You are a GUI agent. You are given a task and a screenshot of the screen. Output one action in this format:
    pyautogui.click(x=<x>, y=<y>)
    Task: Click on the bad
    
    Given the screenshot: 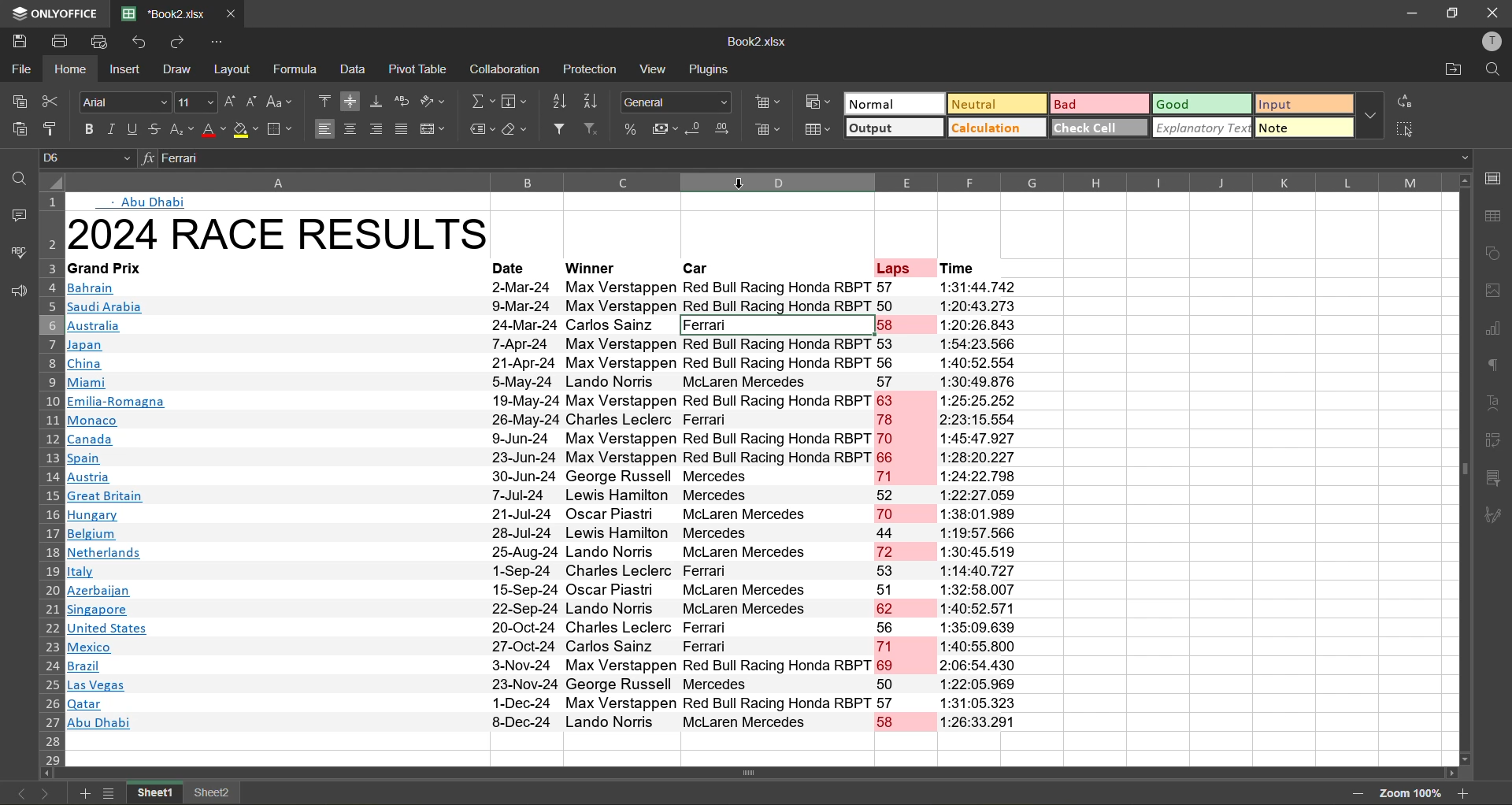 What is the action you would take?
    pyautogui.click(x=1098, y=105)
    